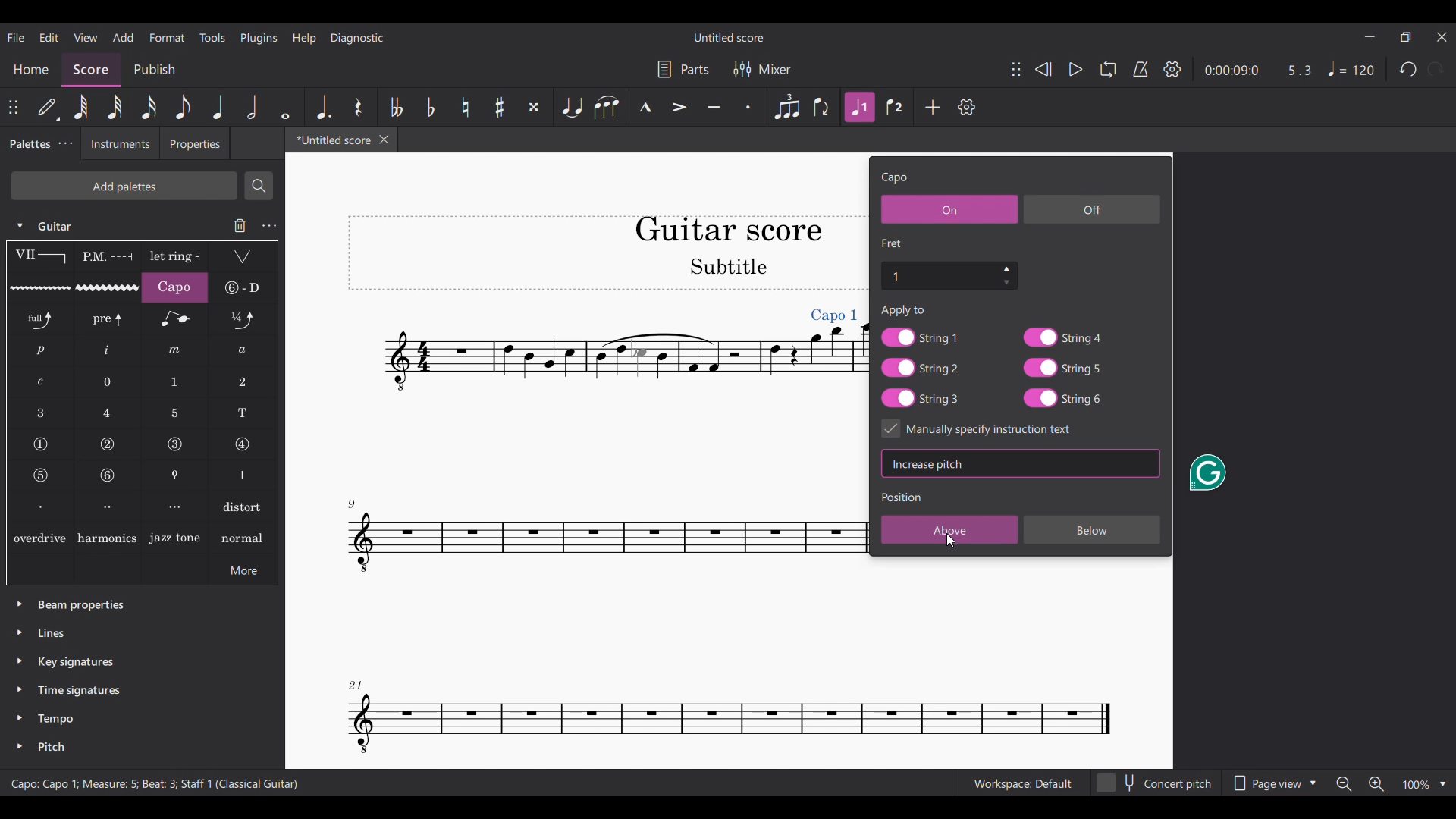  What do you see at coordinates (149, 107) in the screenshot?
I see `16th note` at bounding box center [149, 107].